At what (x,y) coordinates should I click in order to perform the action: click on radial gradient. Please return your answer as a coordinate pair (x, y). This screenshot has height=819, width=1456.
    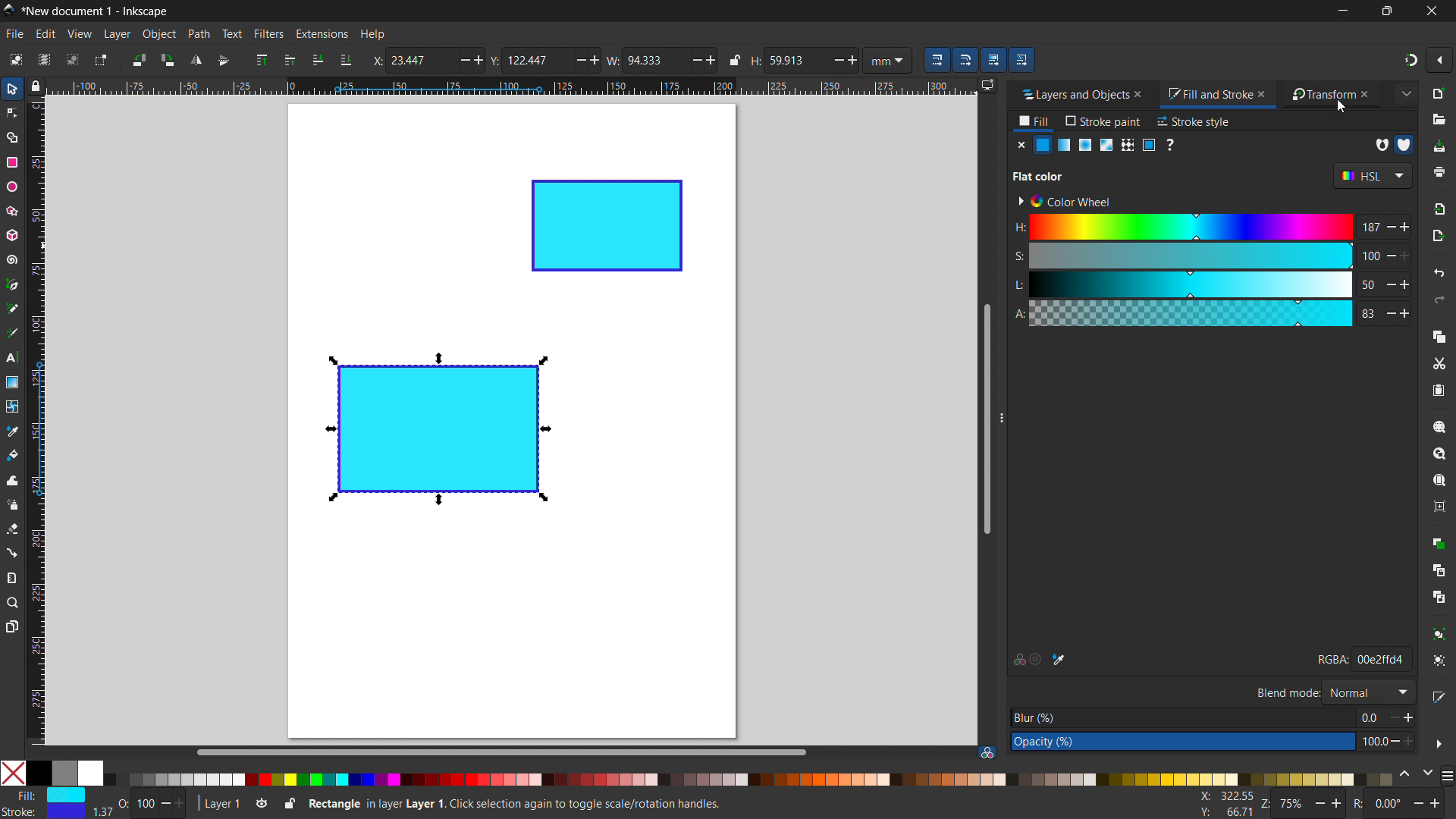
    Looking at the image, I should click on (1085, 145).